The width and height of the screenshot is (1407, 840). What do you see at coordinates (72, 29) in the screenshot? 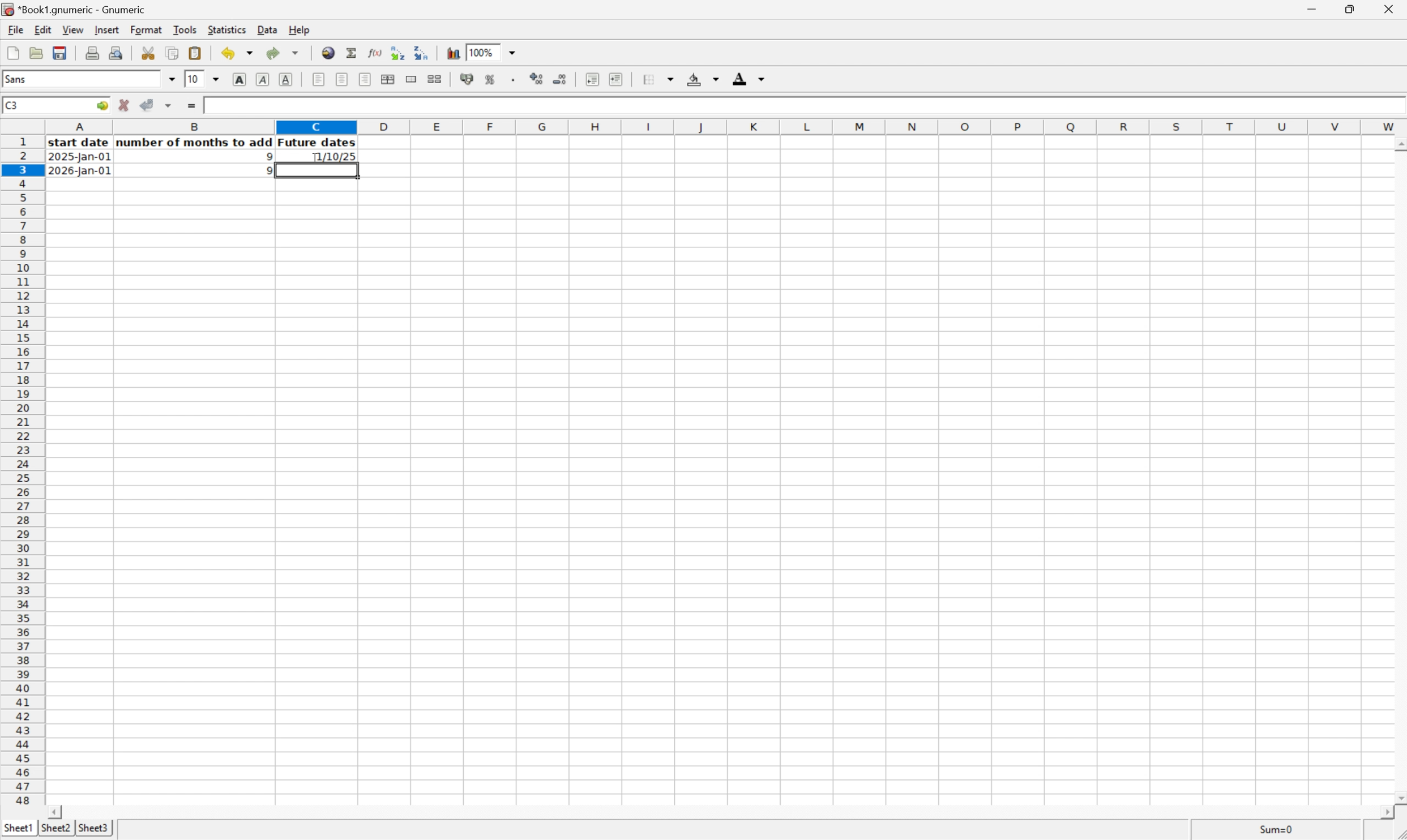
I see `View` at bounding box center [72, 29].